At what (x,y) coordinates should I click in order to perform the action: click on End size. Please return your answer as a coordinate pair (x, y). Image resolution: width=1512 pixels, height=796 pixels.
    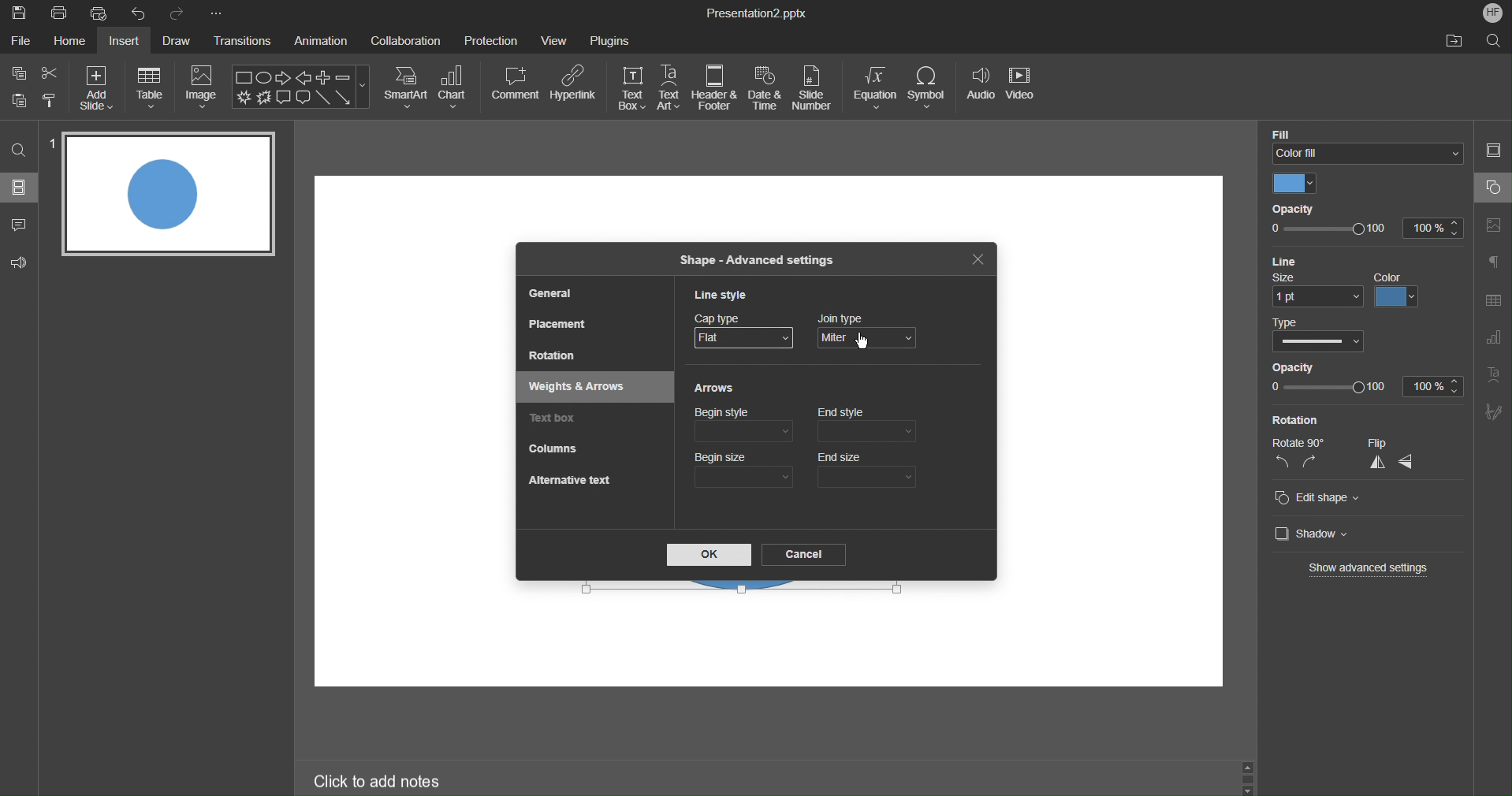
    Looking at the image, I should click on (870, 470).